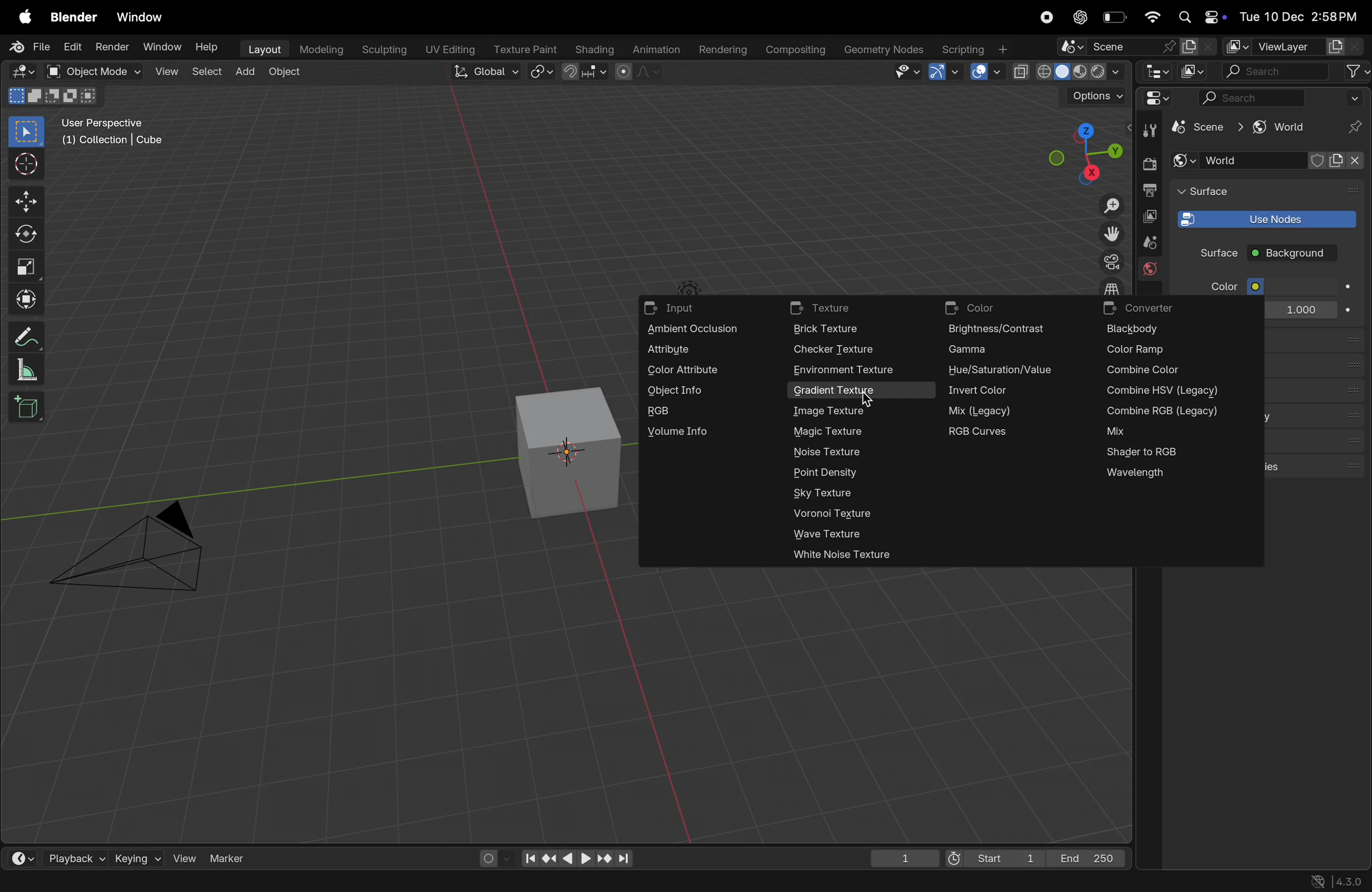 The width and height of the screenshot is (1372, 892). I want to click on RgB, so click(693, 412).